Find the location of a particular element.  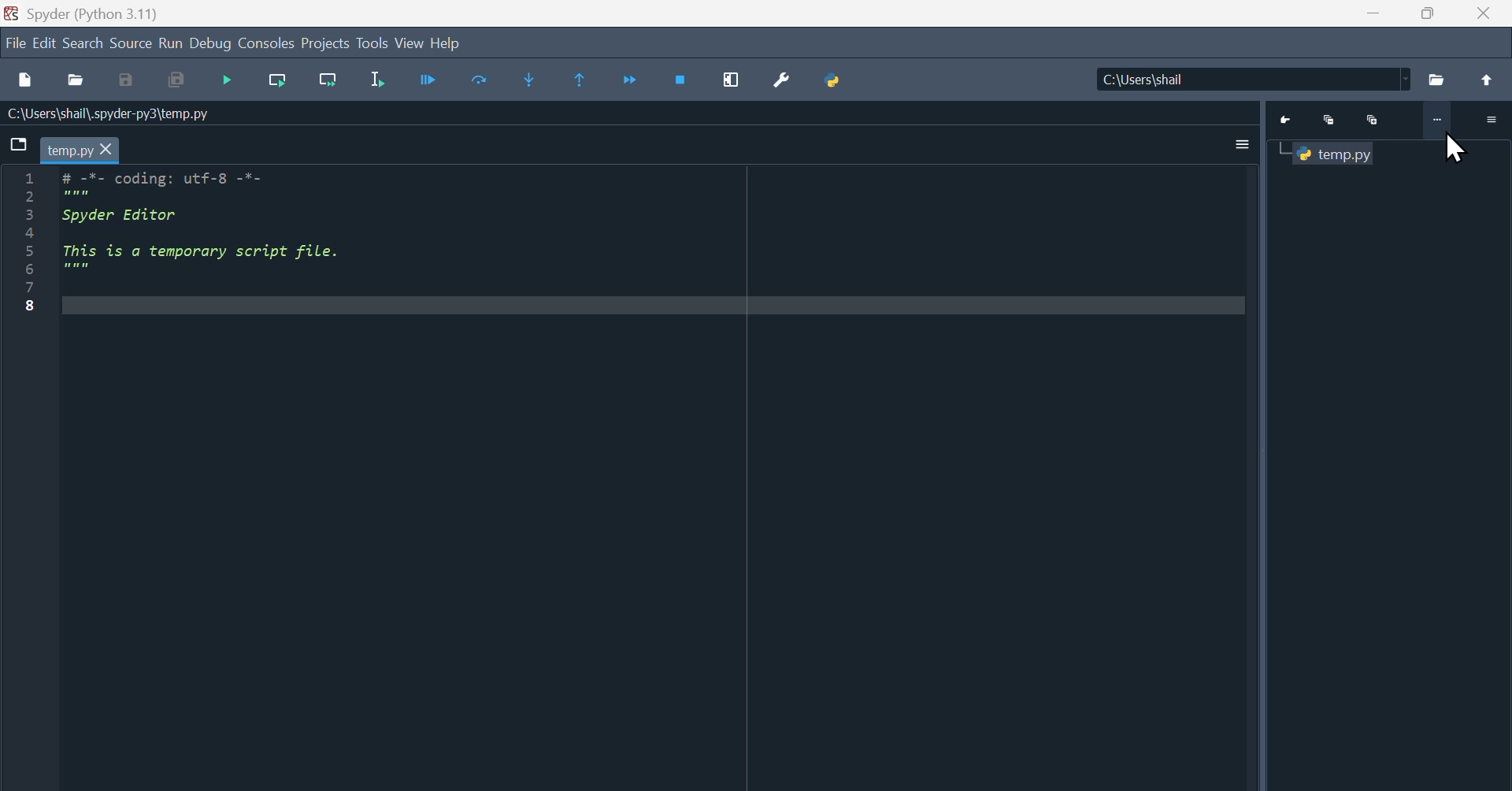

search is located at coordinates (84, 44).